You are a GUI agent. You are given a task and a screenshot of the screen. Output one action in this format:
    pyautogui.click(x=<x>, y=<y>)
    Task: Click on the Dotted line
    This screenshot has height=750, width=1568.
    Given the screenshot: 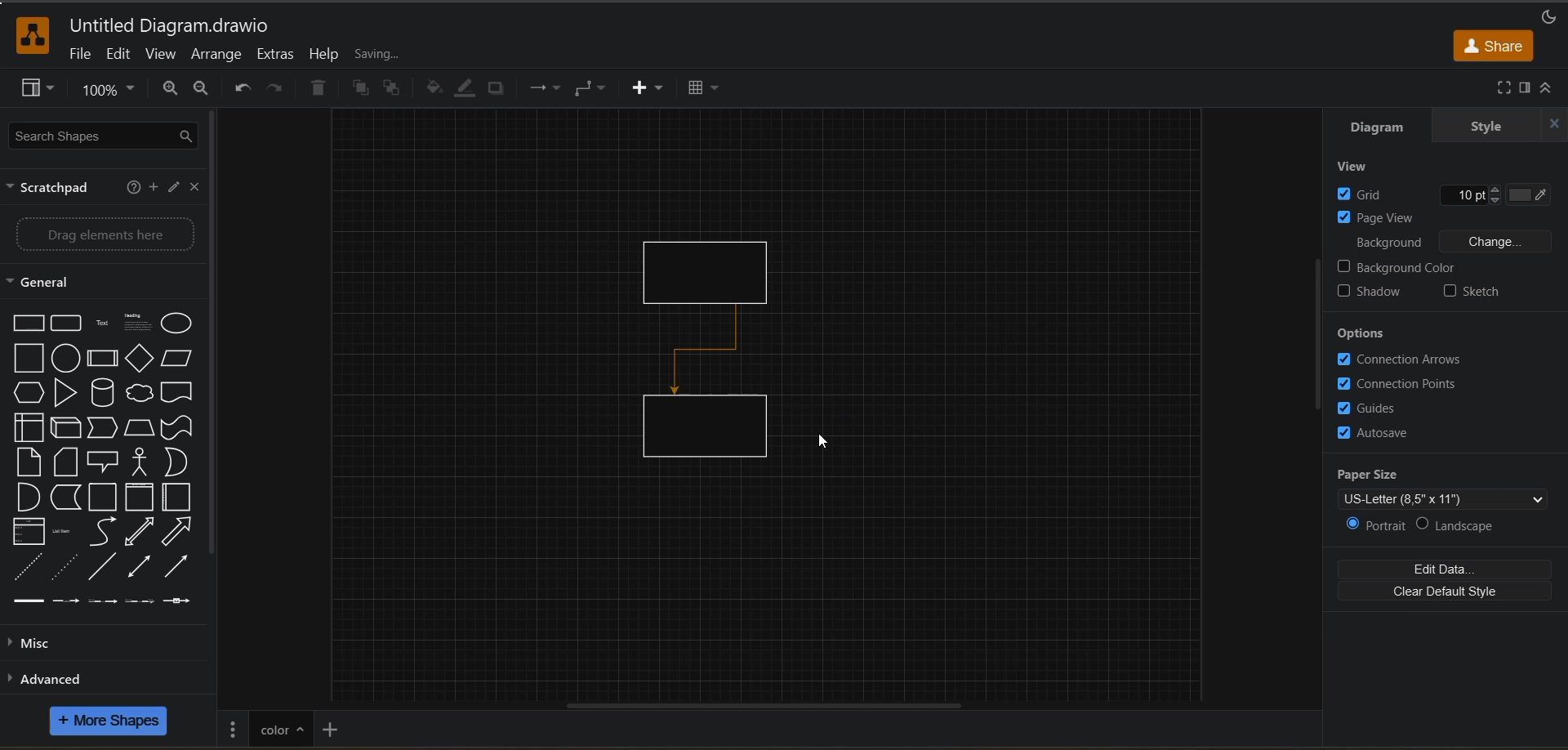 What is the action you would take?
    pyautogui.click(x=65, y=567)
    